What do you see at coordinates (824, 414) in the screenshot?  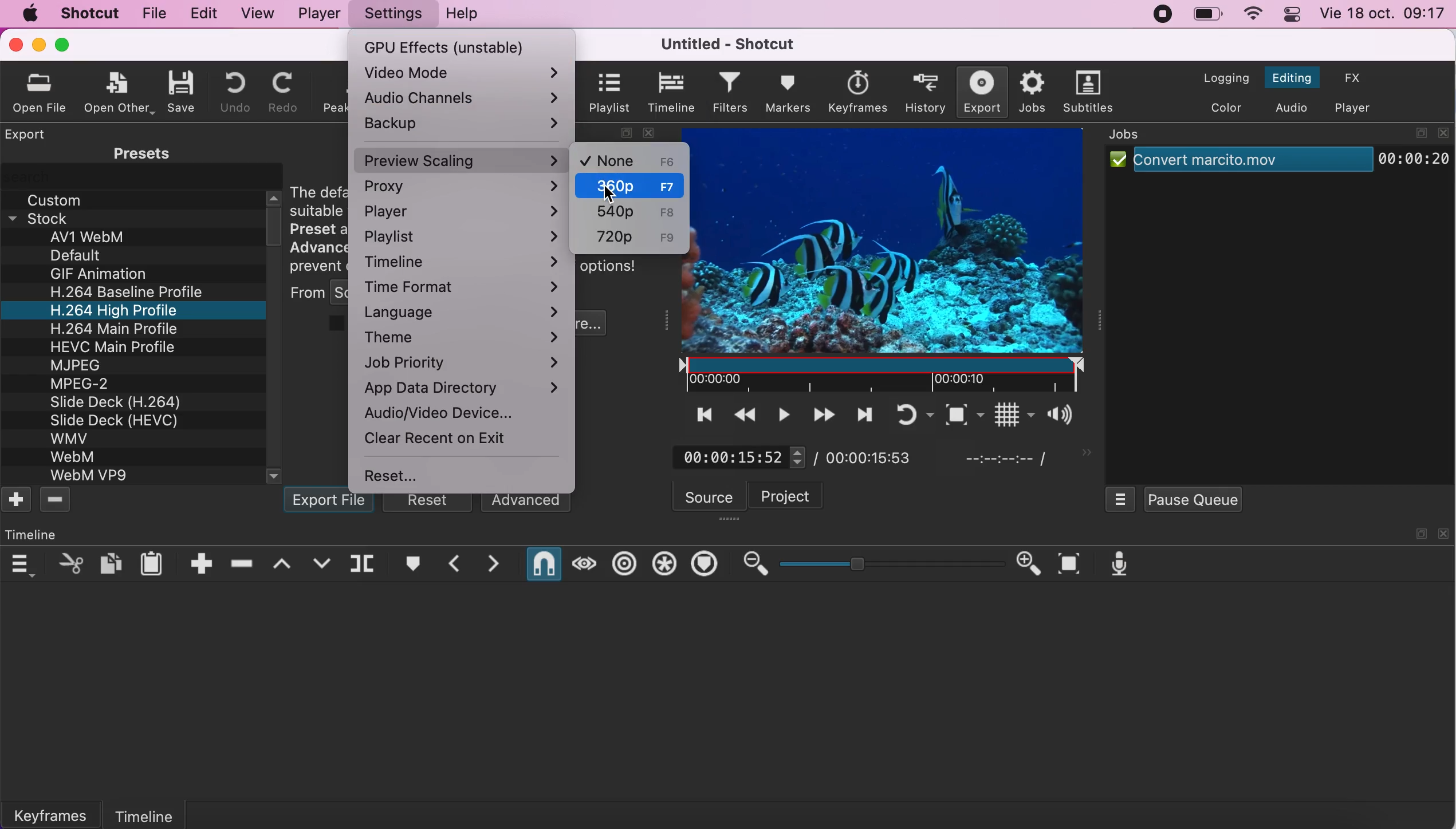 I see `play quickly forwards` at bounding box center [824, 414].